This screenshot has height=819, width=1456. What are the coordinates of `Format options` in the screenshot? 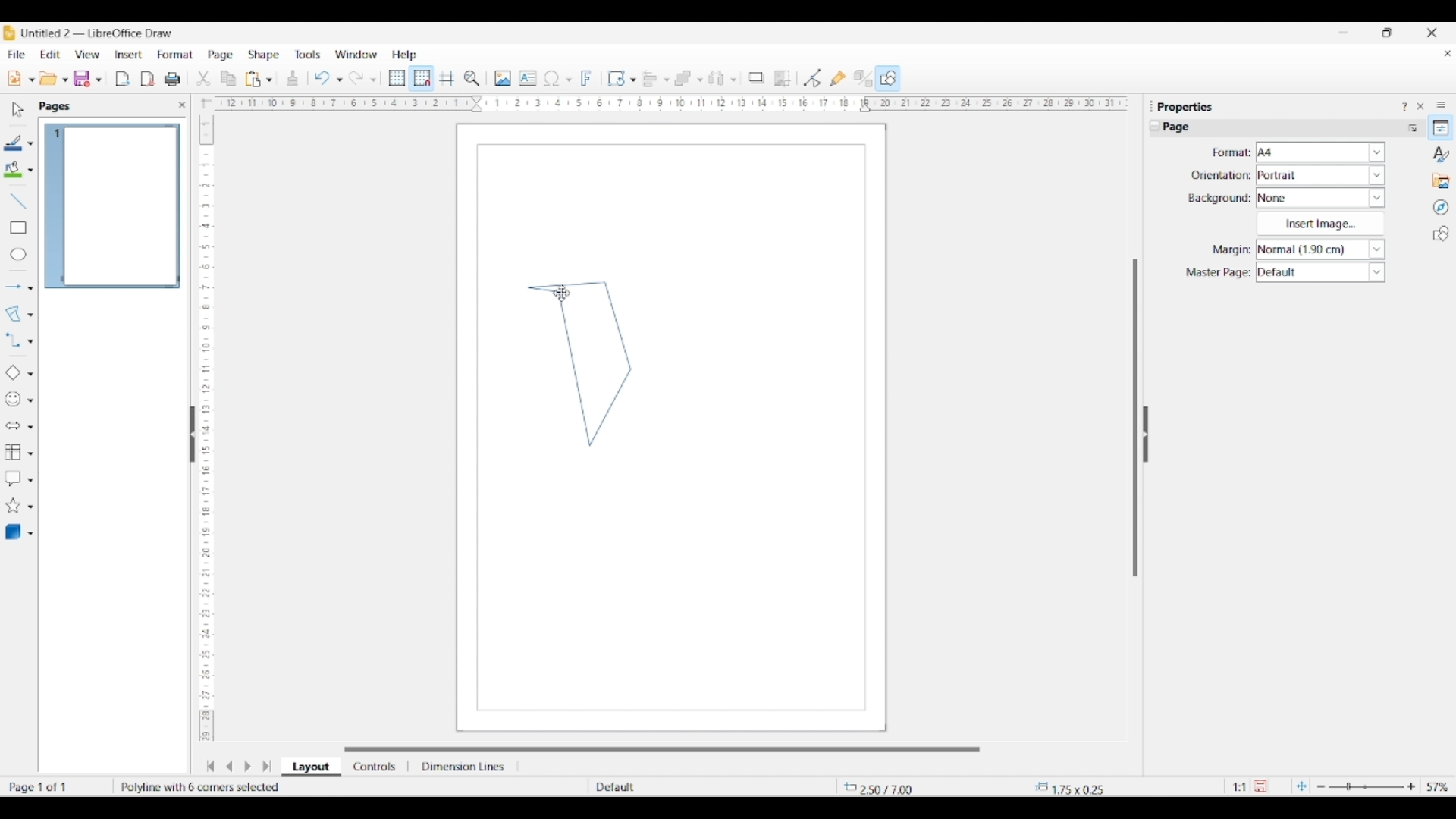 It's located at (1321, 152).